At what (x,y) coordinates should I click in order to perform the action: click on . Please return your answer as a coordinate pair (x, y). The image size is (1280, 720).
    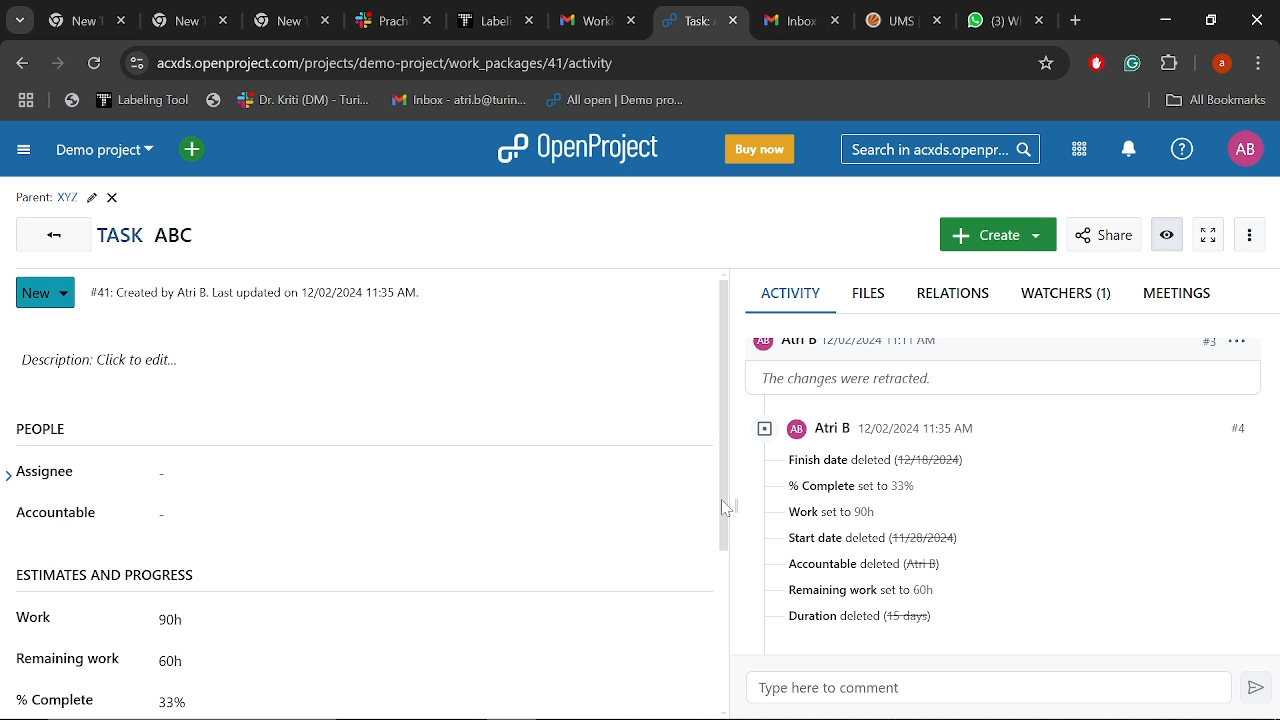
    Looking at the image, I should click on (27, 151).